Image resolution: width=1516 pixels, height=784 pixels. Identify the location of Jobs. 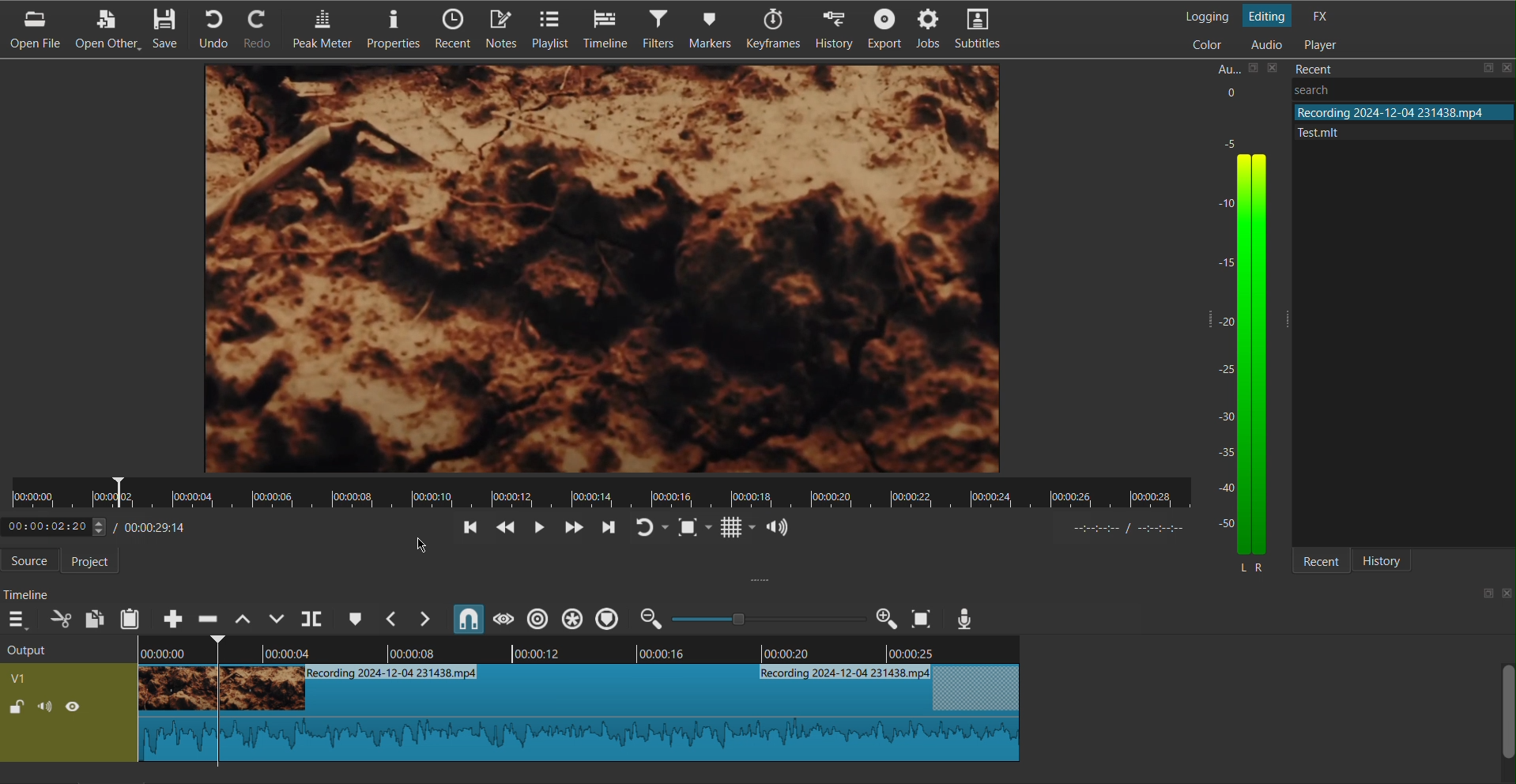
(933, 32).